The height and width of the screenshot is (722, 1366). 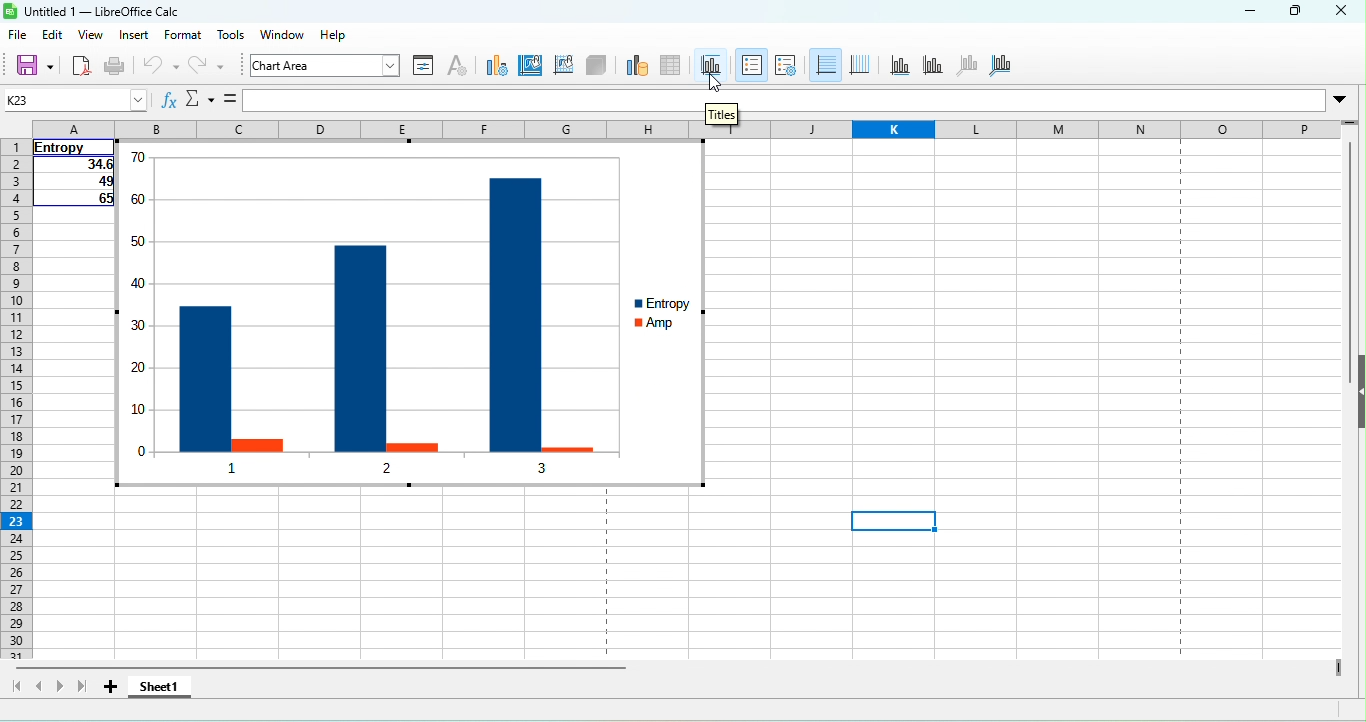 I want to click on 1, so click(x=234, y=466).